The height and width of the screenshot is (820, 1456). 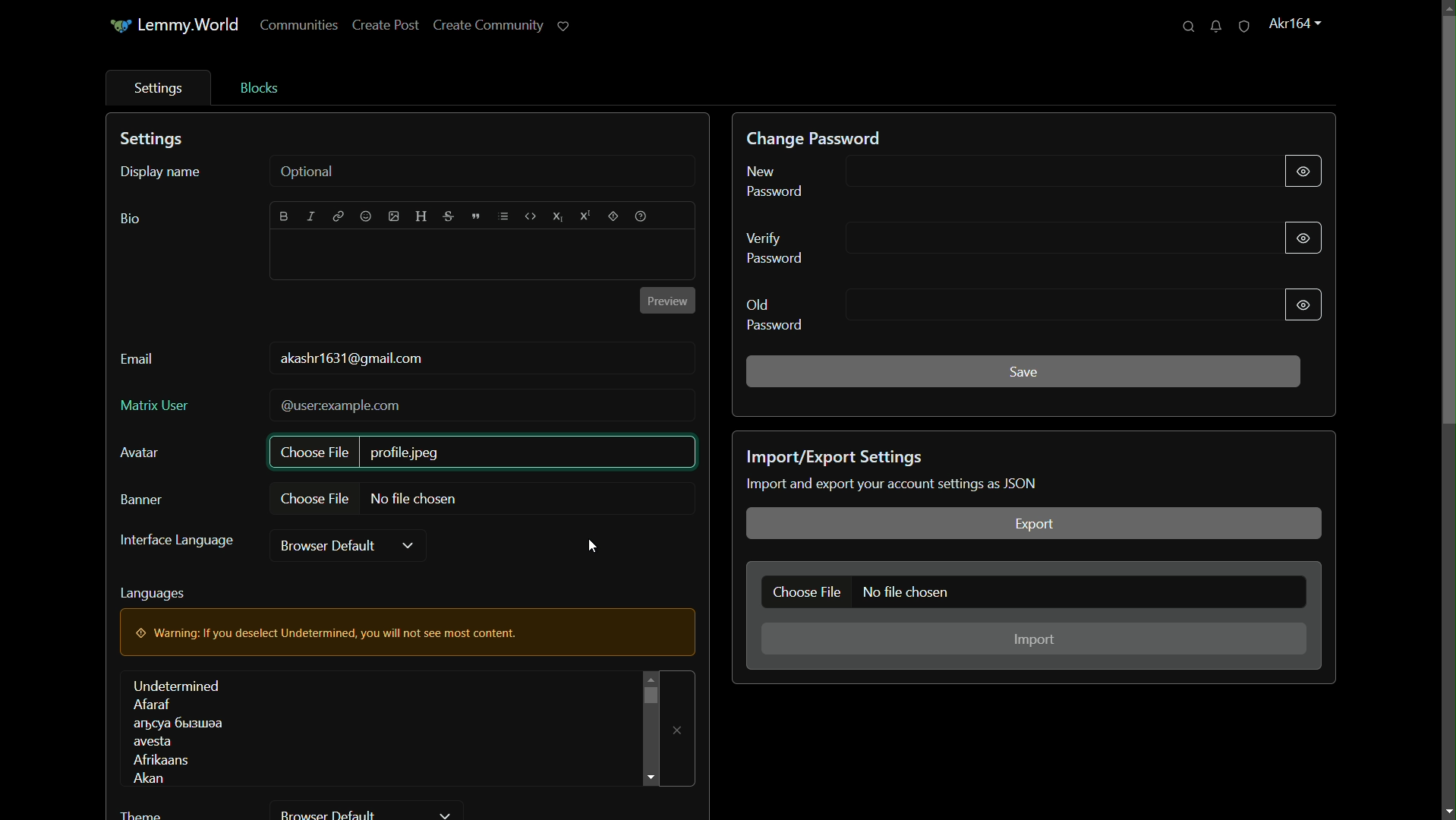 What do you see at coordinates (317, 451) in the screenshot?
I see `choose file` at bounding box center [317, 451].